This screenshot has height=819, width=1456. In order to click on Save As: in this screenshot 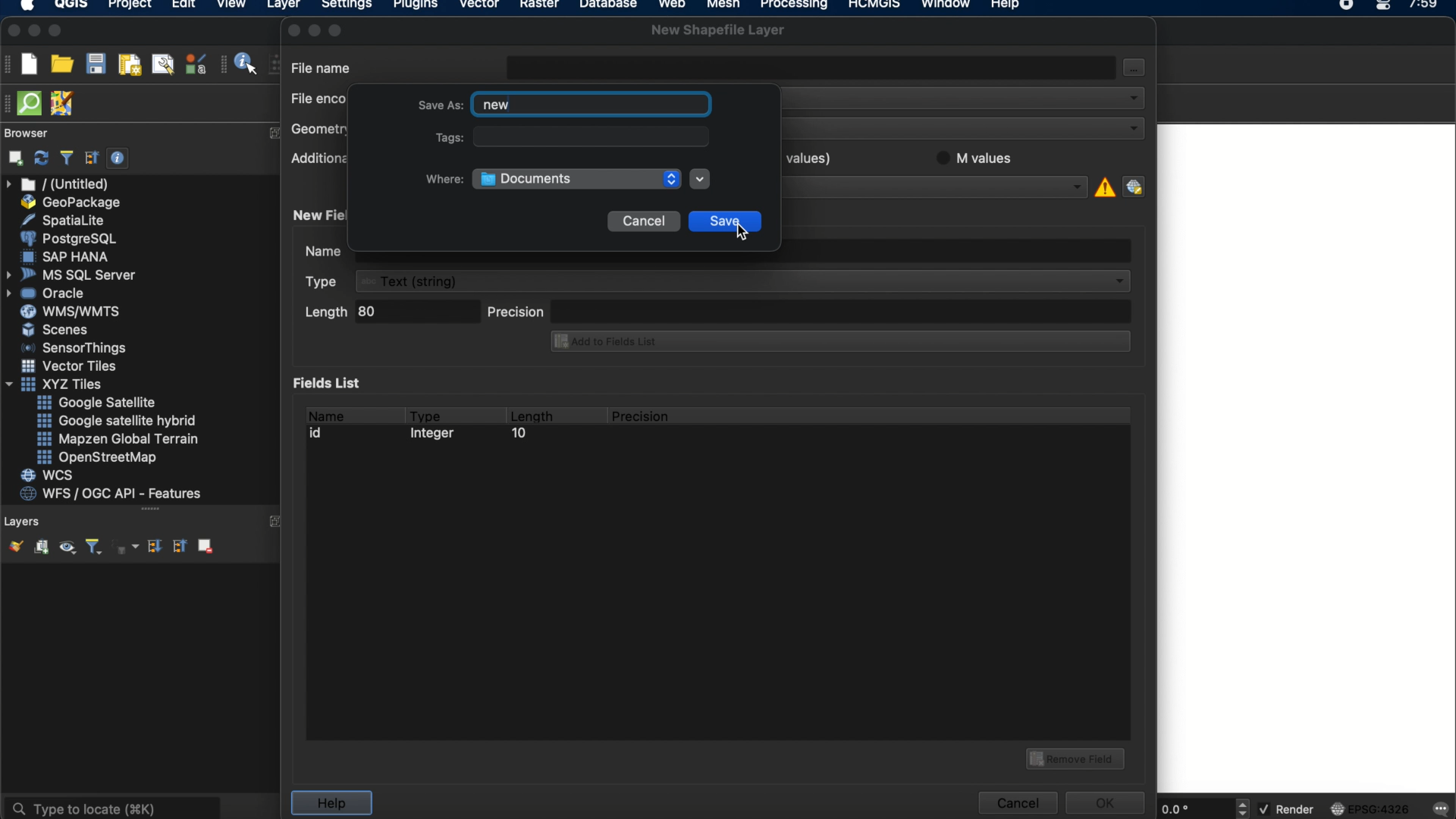, I will do `click(438, 104)`.